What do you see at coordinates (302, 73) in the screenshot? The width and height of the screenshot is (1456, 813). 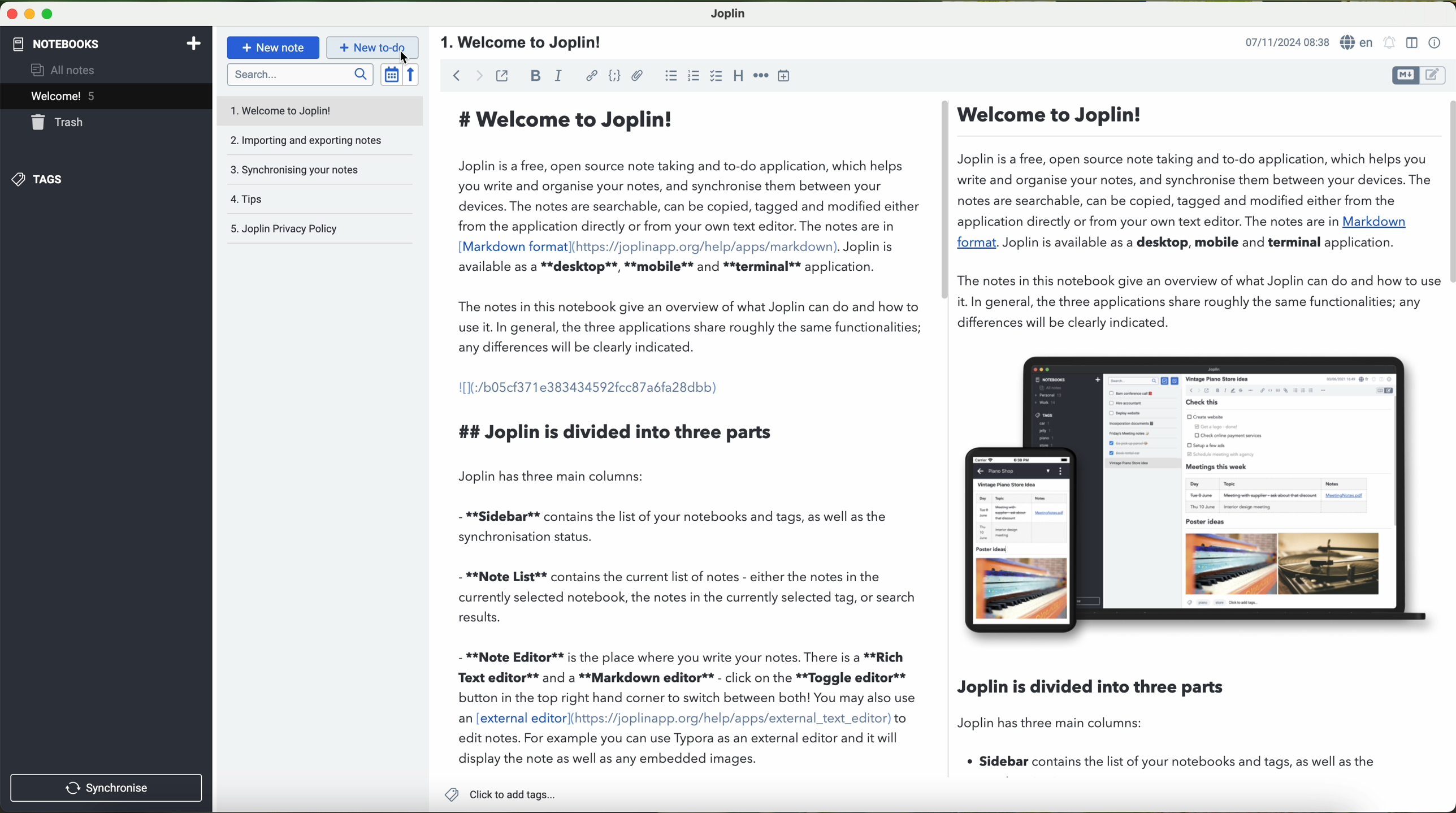 I see `search bar` at bounding box center [302, 73].